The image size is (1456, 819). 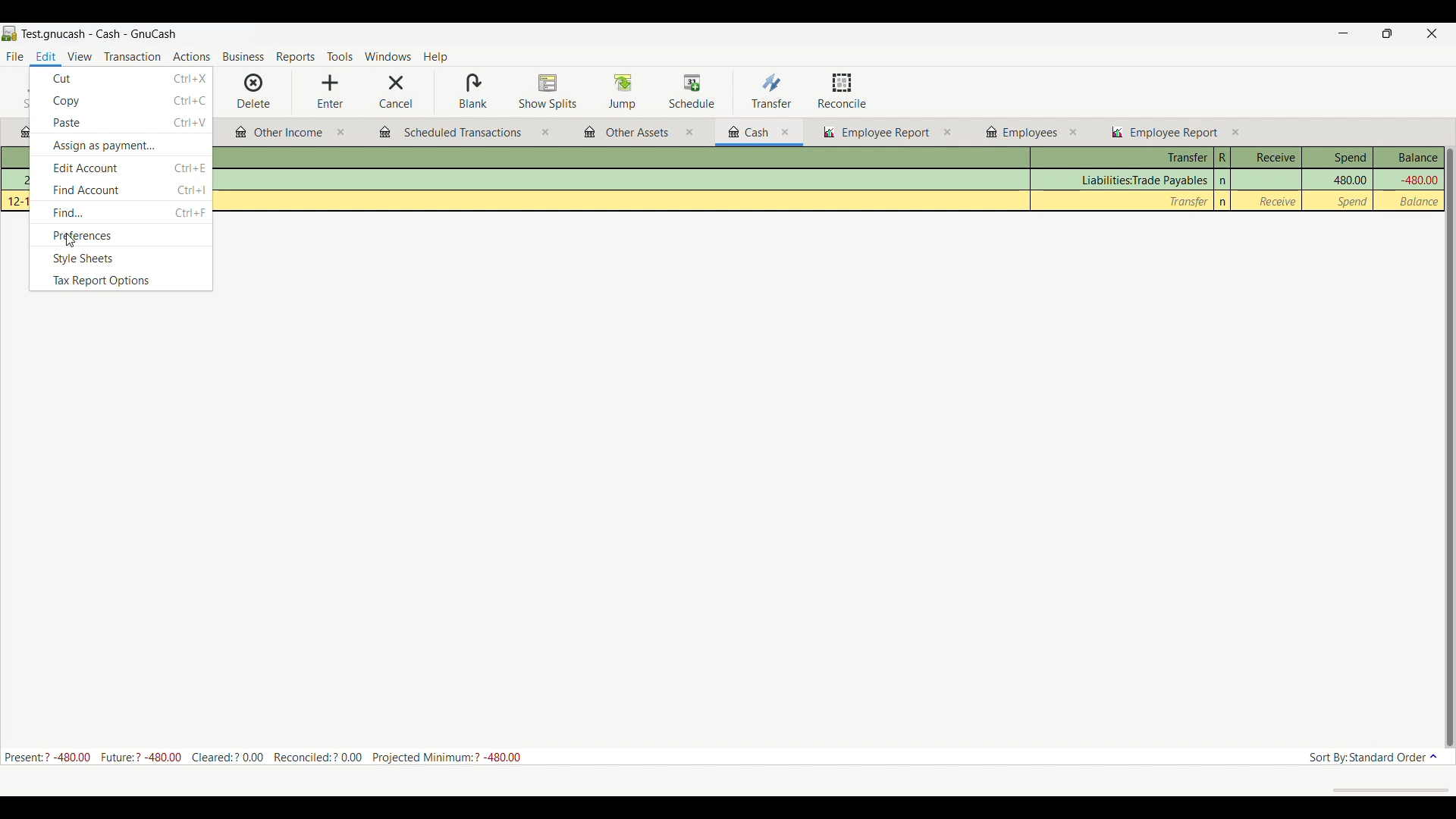 What do you see at coordinates (750, 133) in the screenshot?
I see `Other budgets and reports` at bounding box center [750, 133].